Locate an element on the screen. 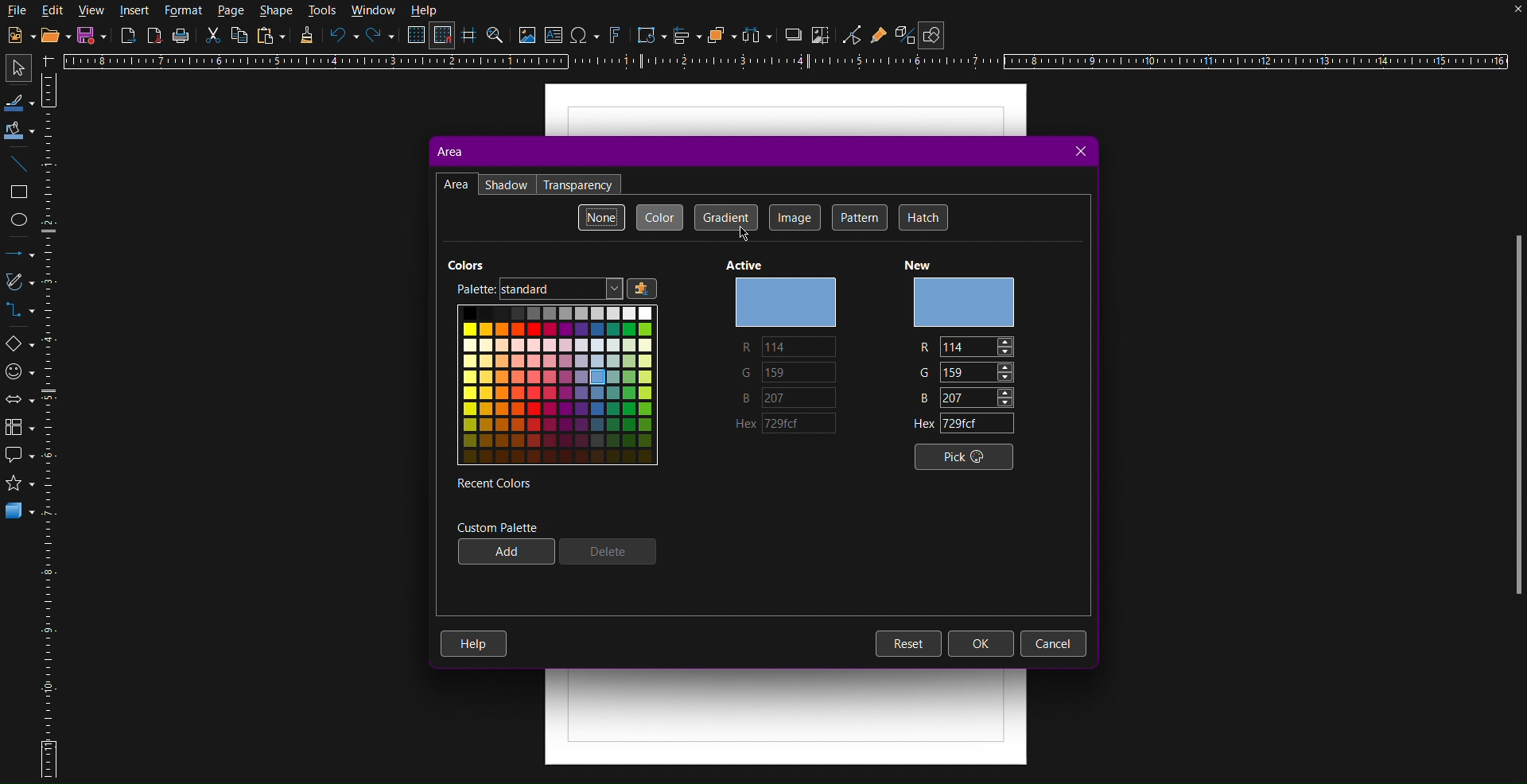  Align Objects is located at coordinates (689, 39).